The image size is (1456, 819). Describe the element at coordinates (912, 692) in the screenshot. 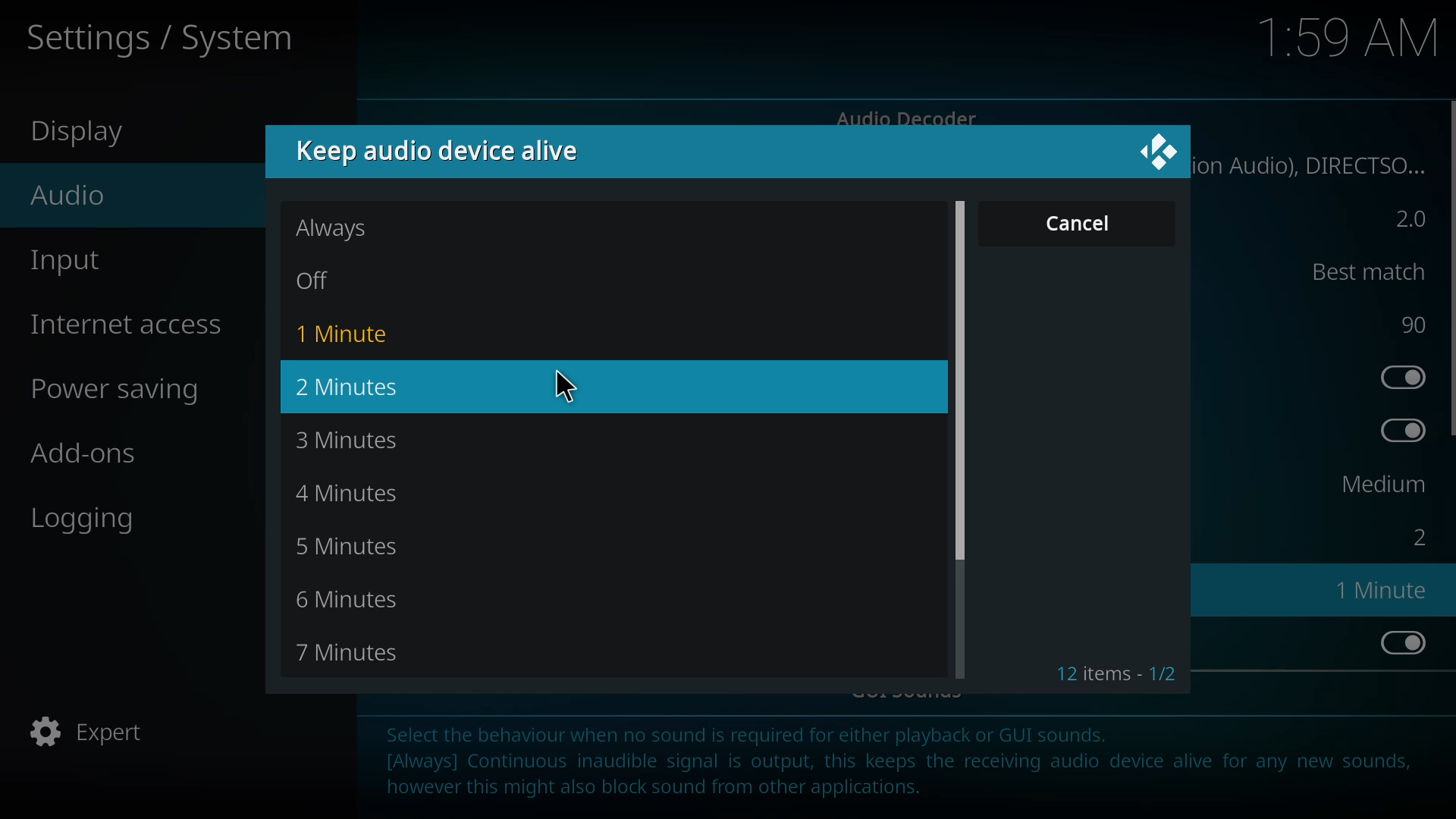

I see `gui sounds` at that location.